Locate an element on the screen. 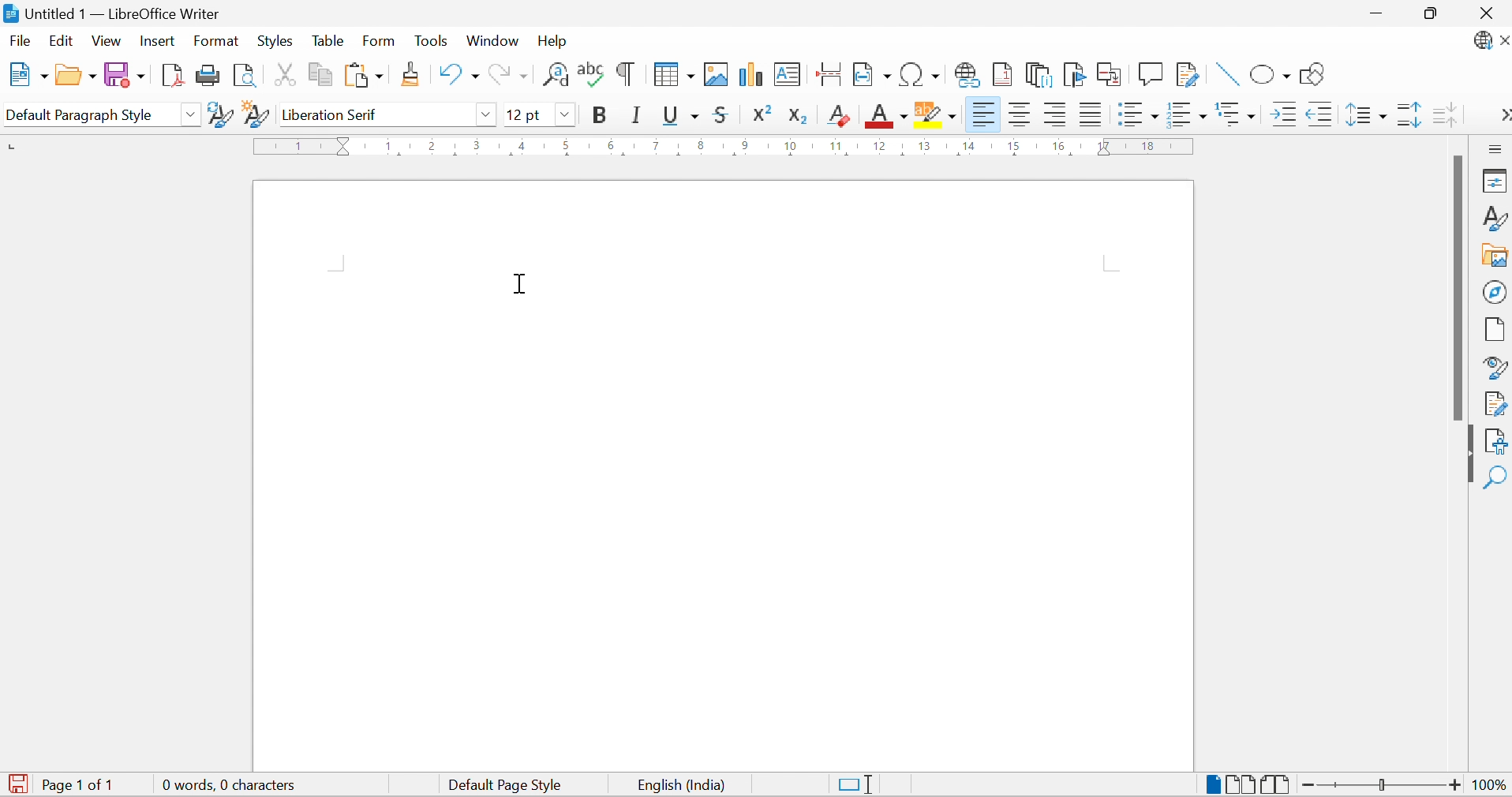  12 is located at coordinates (881, 147).